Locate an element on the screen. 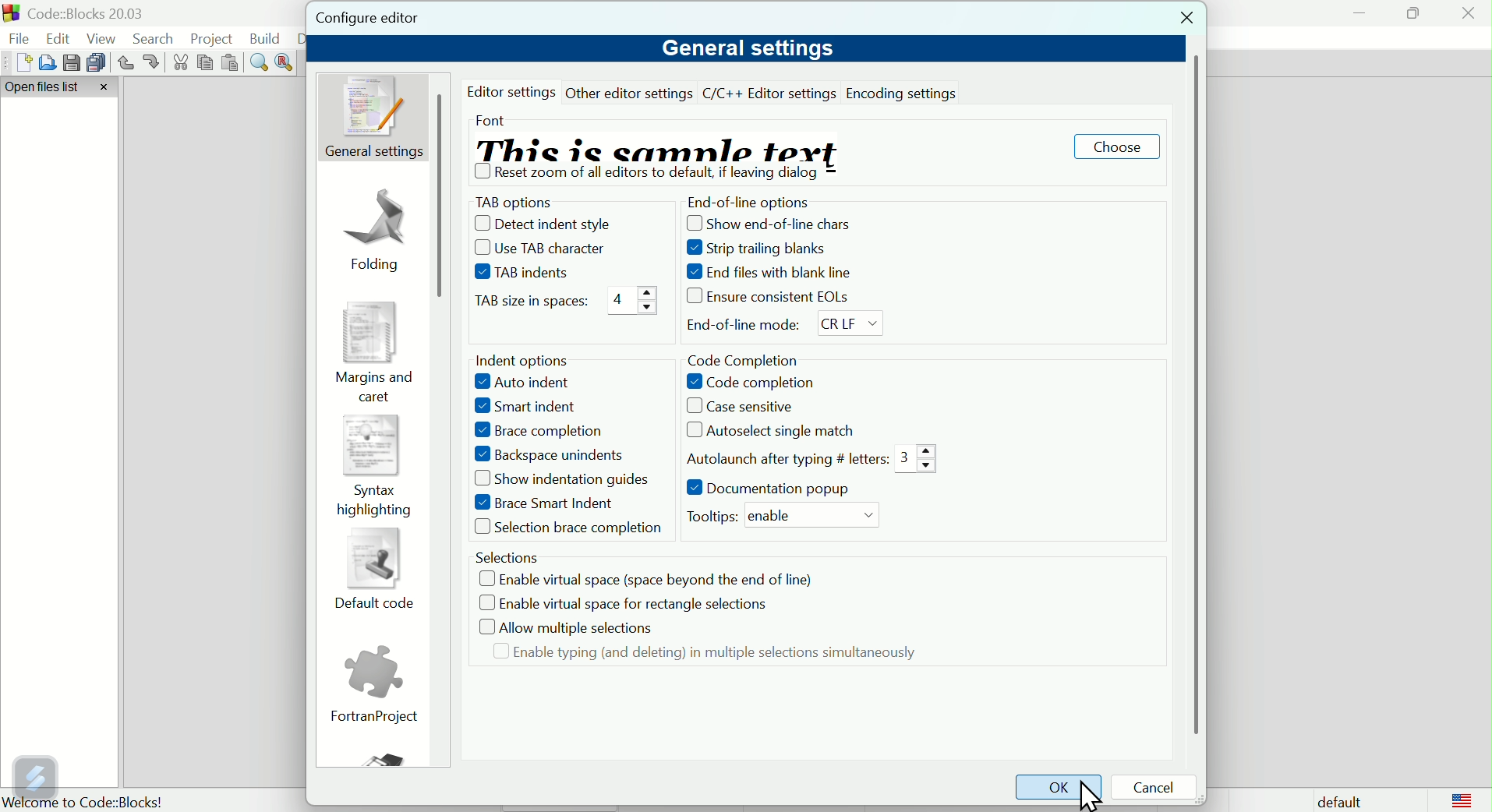  Code completion is located at coordinates (744, 359).